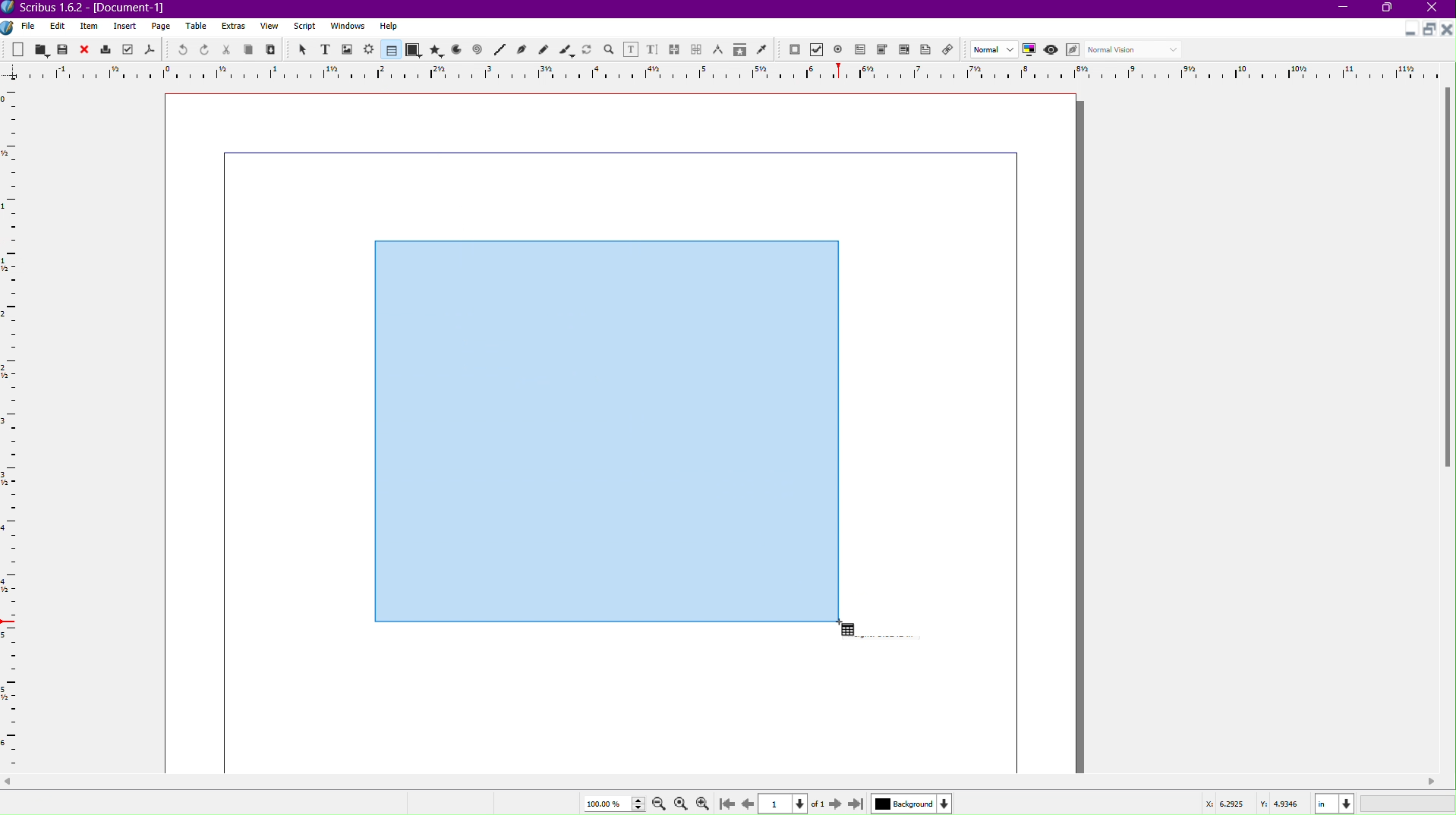  What do you see at coordinates (370, 49) in the screenshot?
I see `Render Frame` at bounding box center [370, 49].